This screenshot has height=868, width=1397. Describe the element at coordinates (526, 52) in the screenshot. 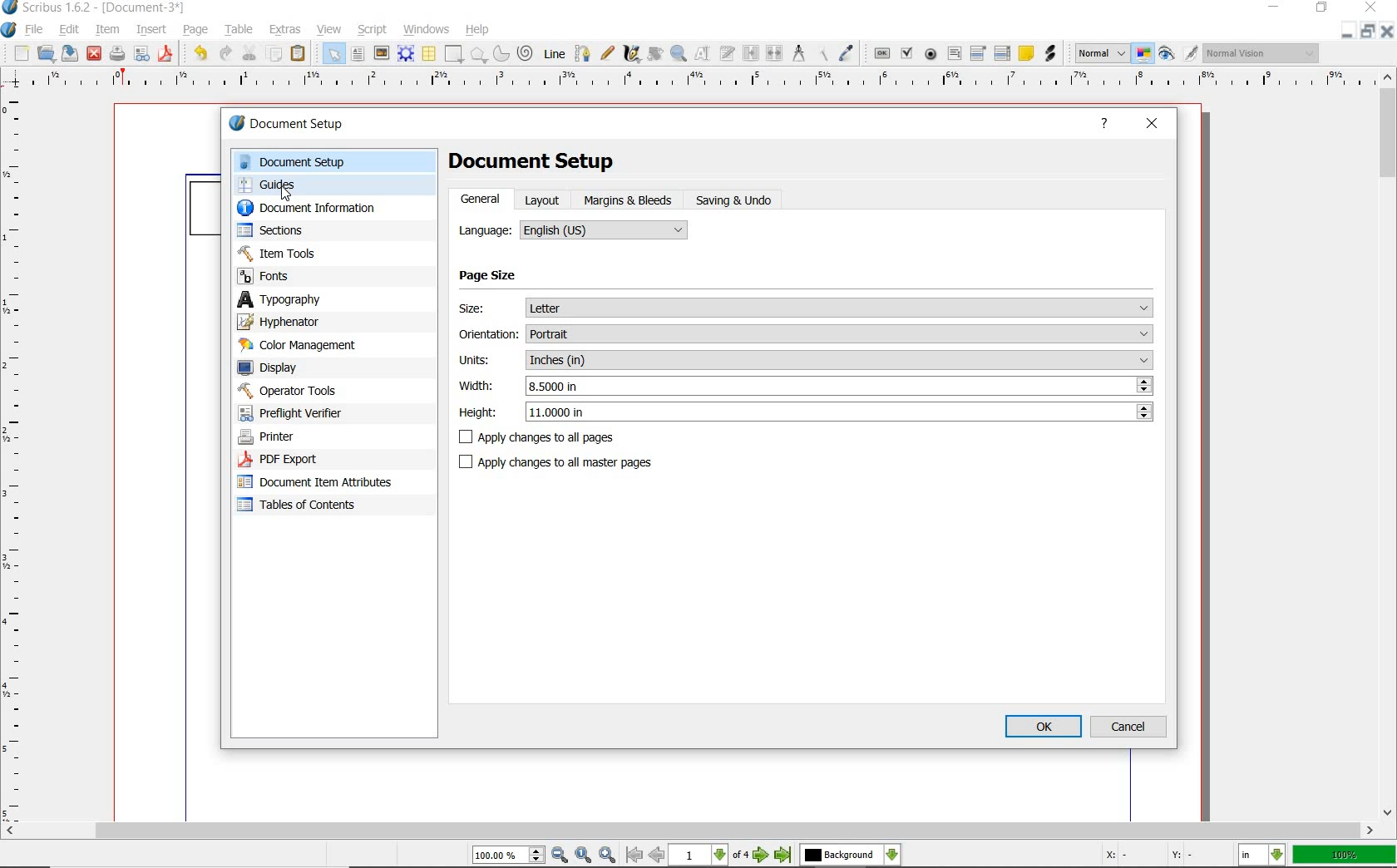

I see `spiral` at that location.